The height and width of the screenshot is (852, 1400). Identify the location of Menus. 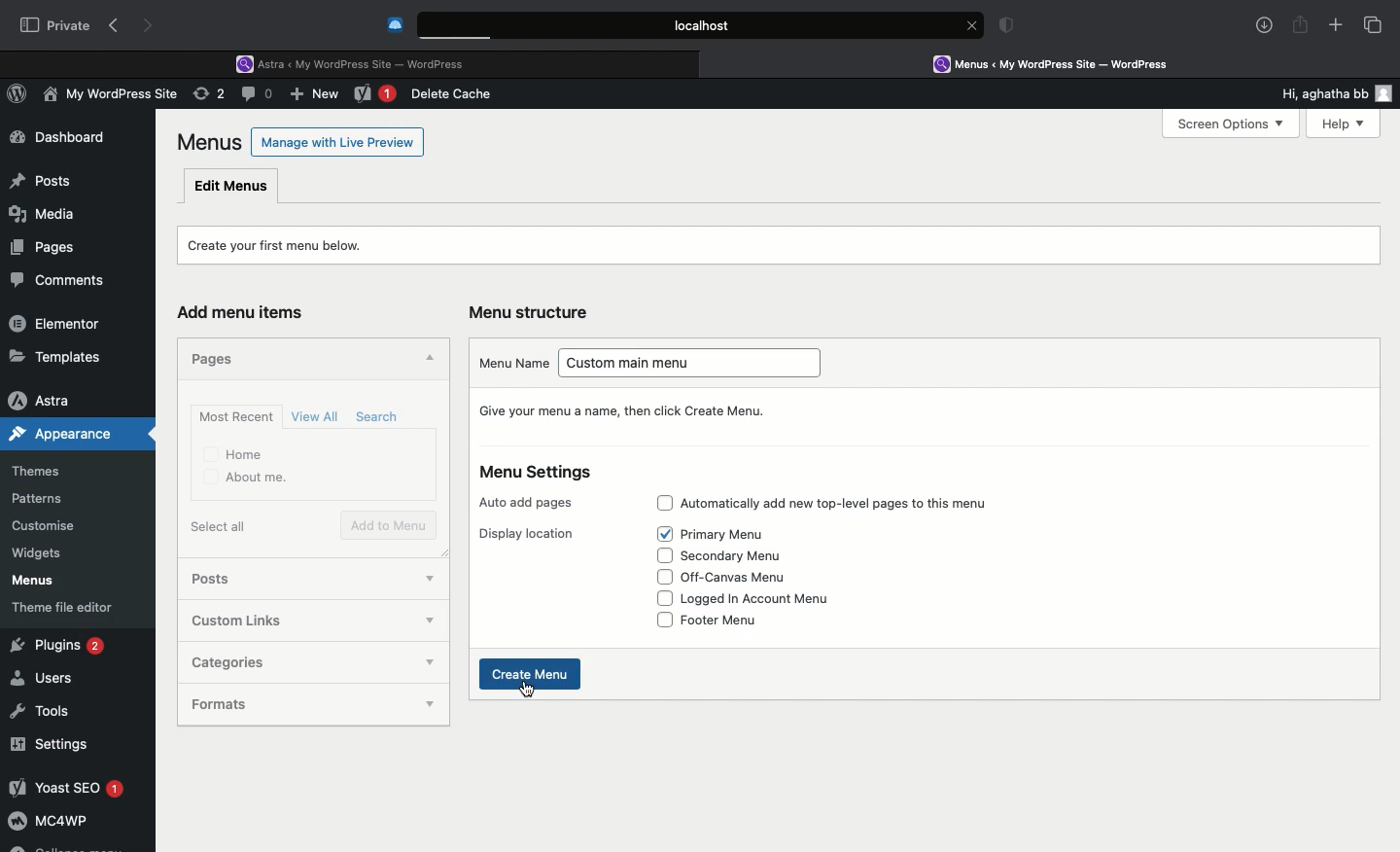
(30, 581).